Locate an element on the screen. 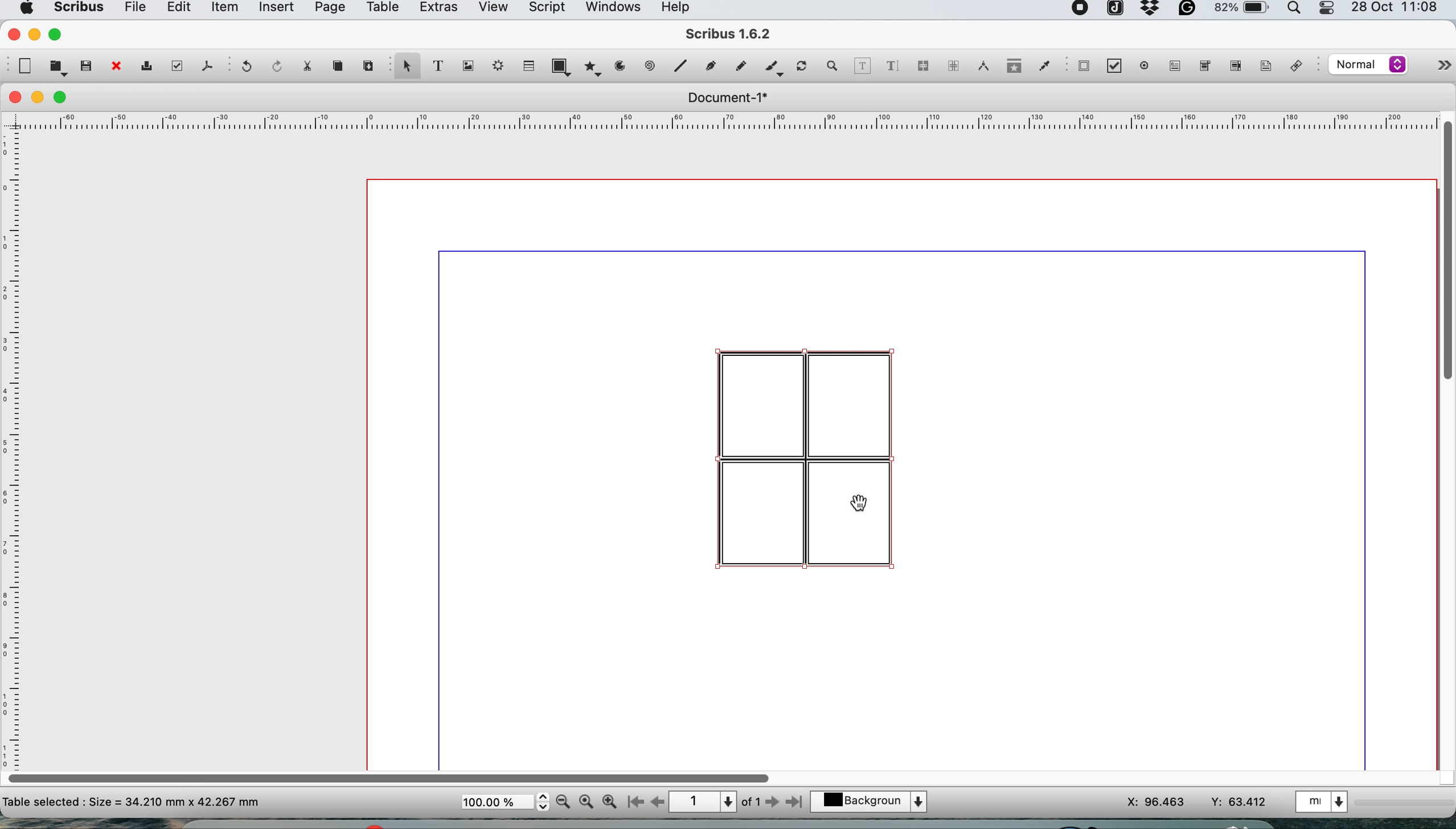 Image resolution: width=1456 pixels, height=829 pixels. copy is located at coordinates (340, 66).